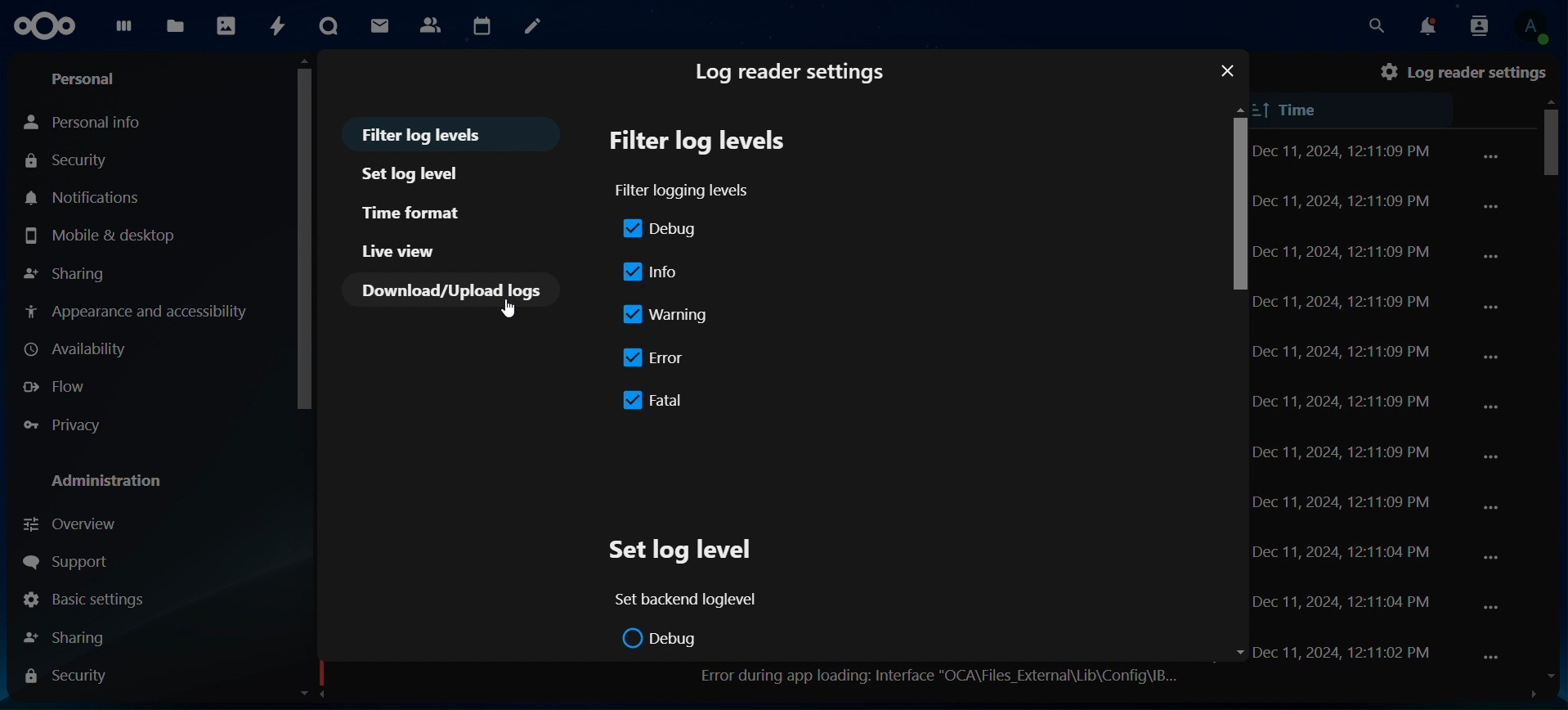 The image size is (1568, 710). Describe the element at coordinates (662, 640) in the screenshot. I see `debug` at that location.